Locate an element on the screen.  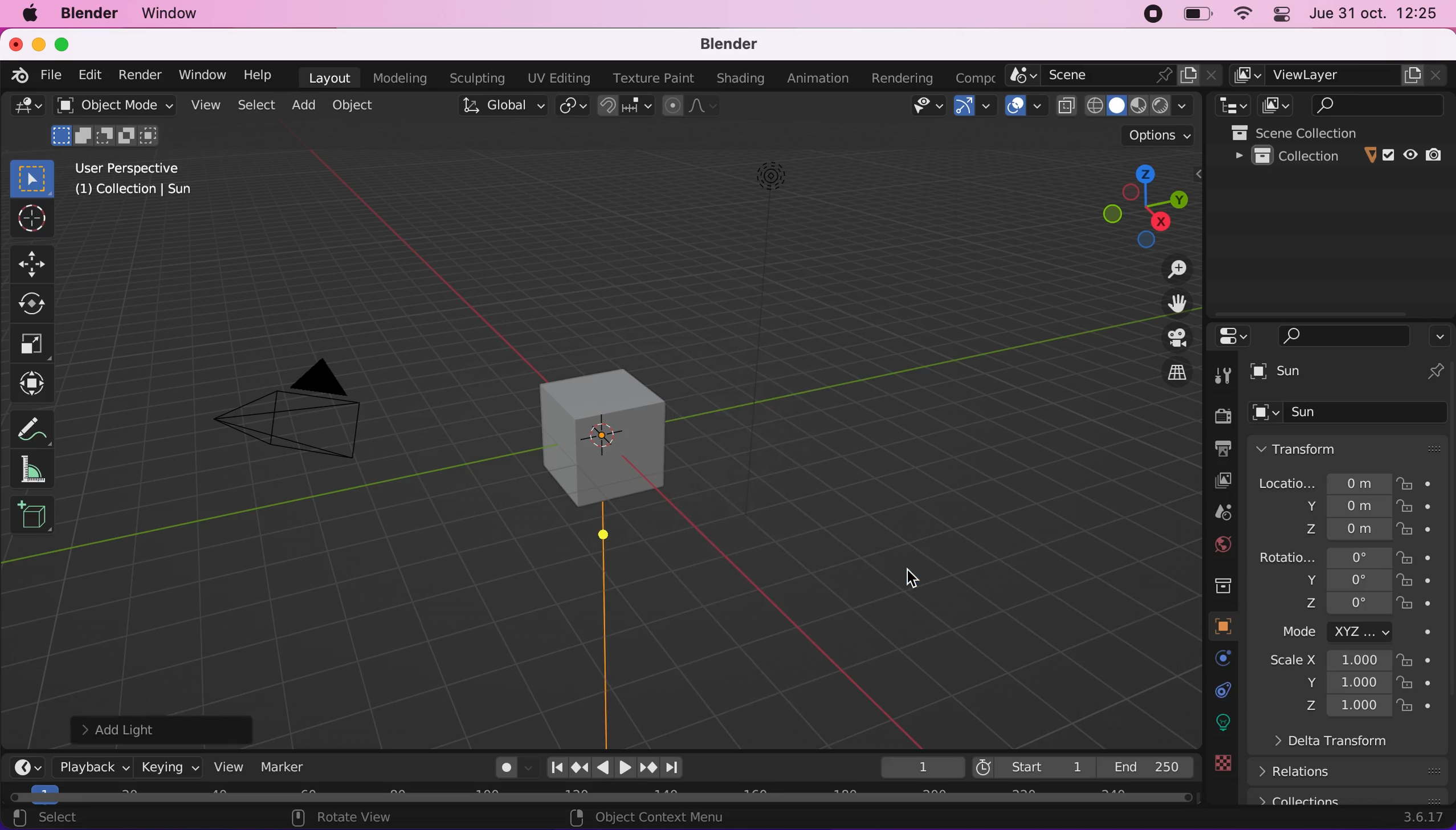
minimize is located at coordinates (38, 45).